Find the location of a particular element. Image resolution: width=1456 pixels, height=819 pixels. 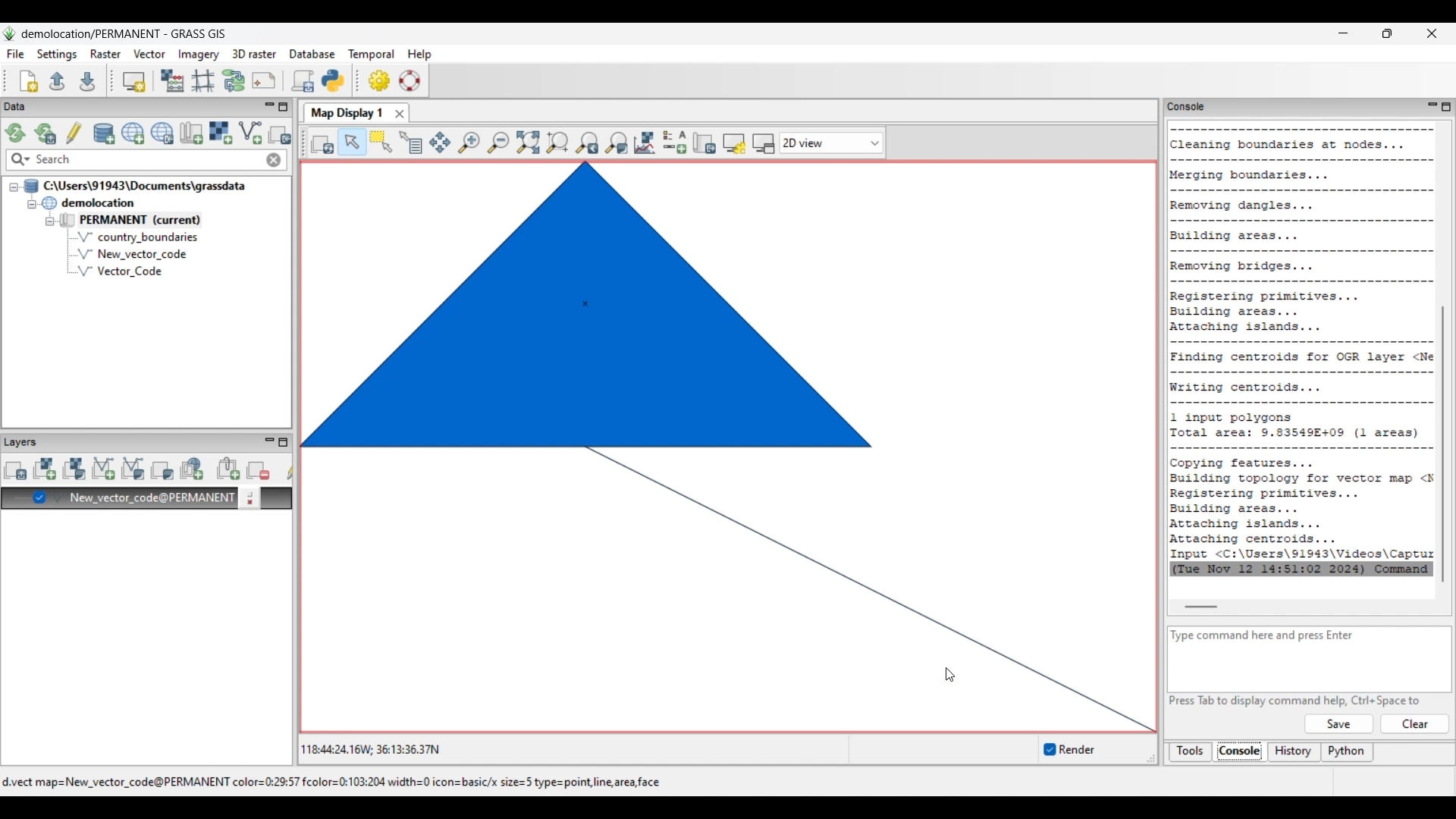

File menu is located at coordinates (16, 54).